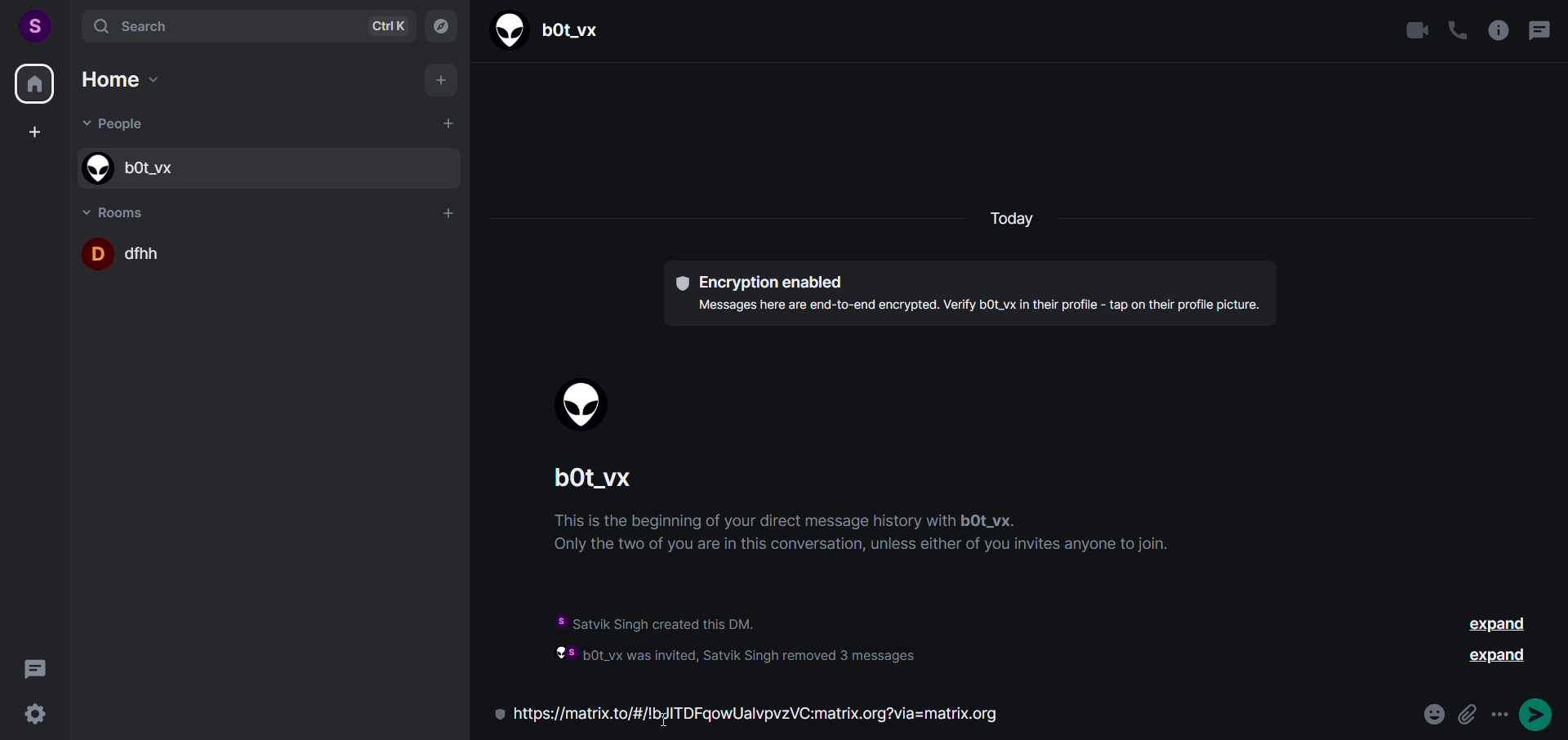 Image resolution: width=1568 pixels, height=740 pixels. What do you see at coordinates (119, 126) in the screenshot?
I see `people` at bounding box center [119, 126].